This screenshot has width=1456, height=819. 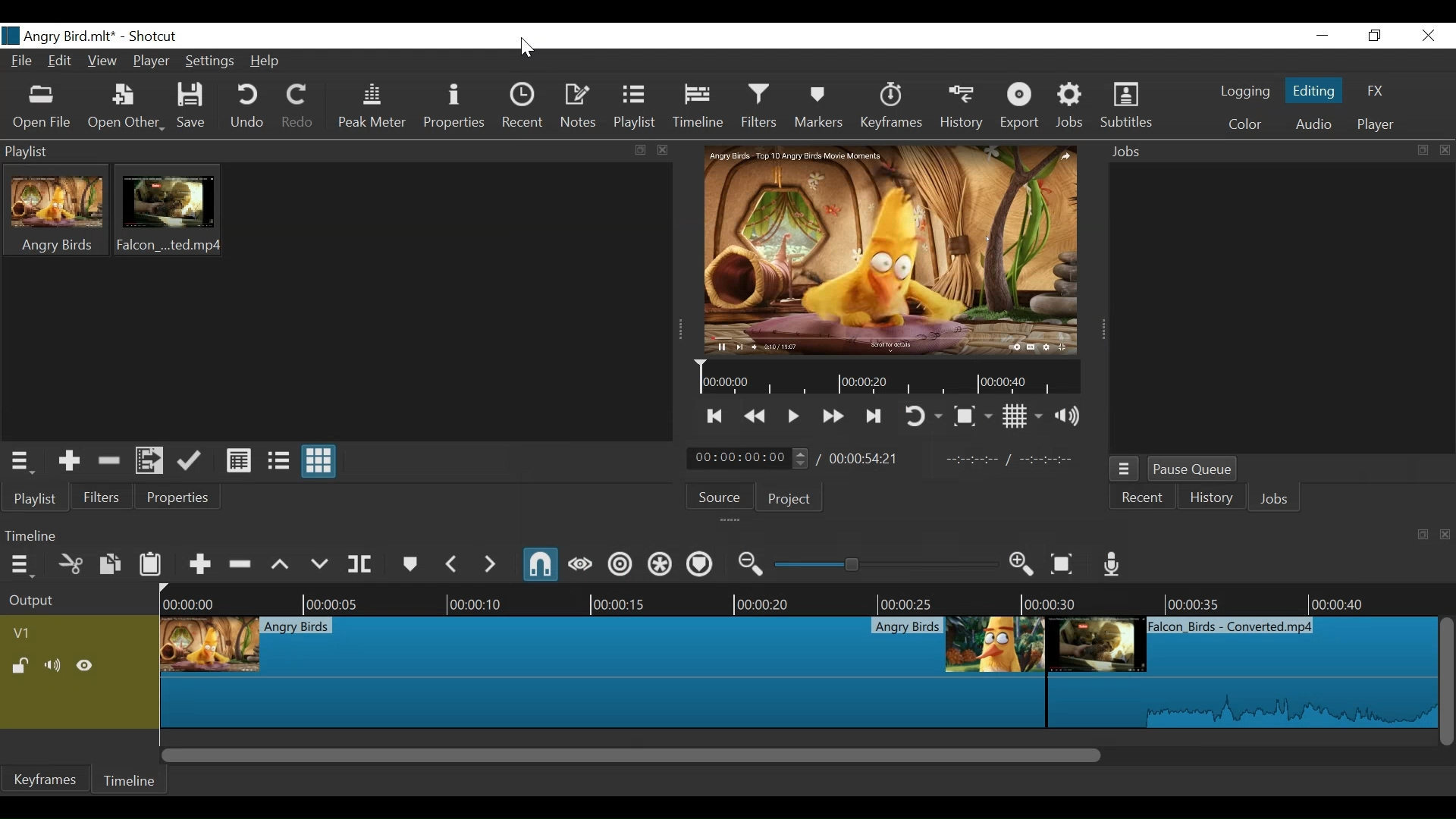 What do you see at coordinates (1113, 564) in the screenshot?
I see `Record audio` at bounding box center [1113, 564].